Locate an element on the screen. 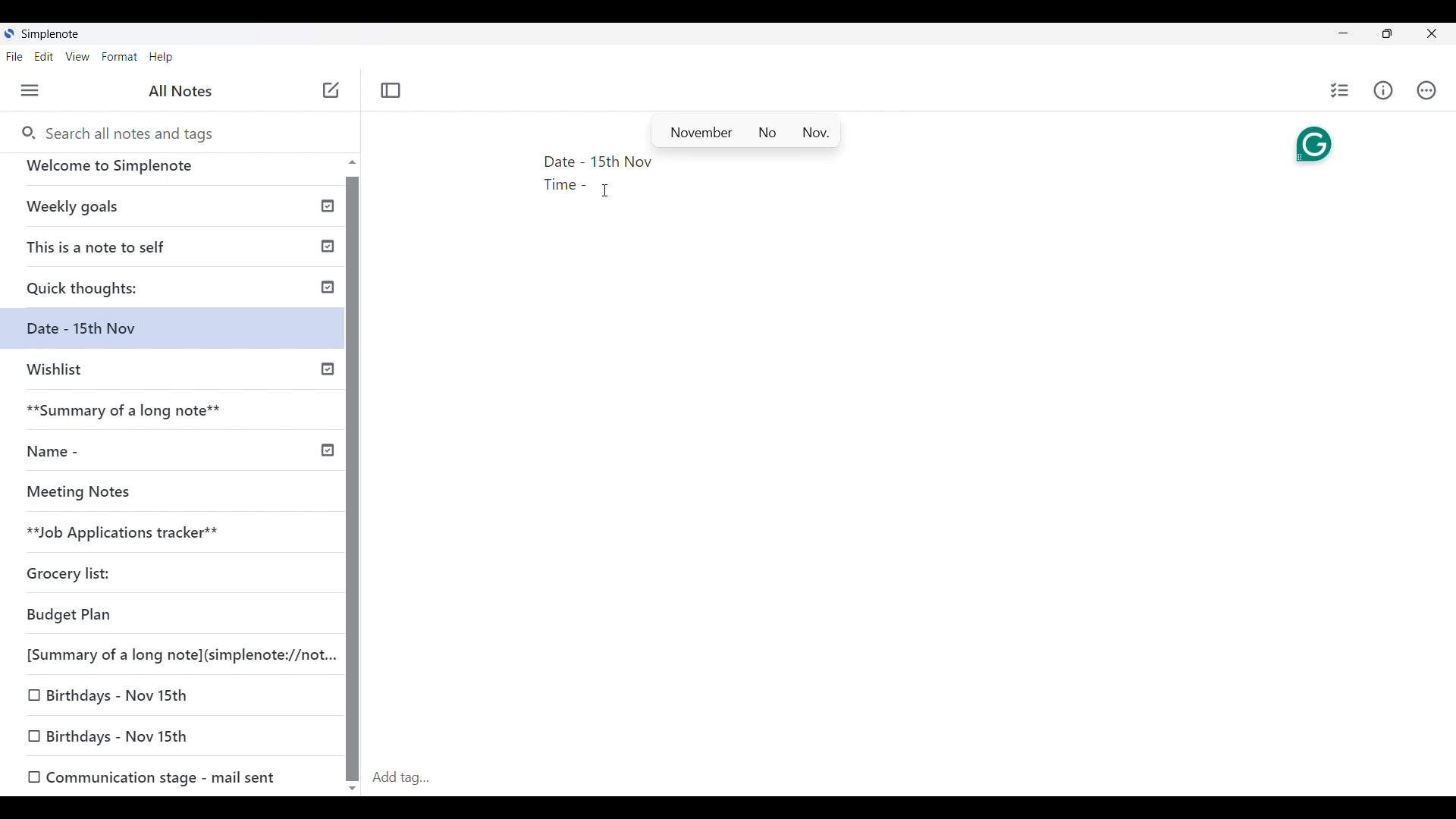 This screenshot has width=1456, height=819. Published note indicated by check icon is located at coordinates (174, 212).